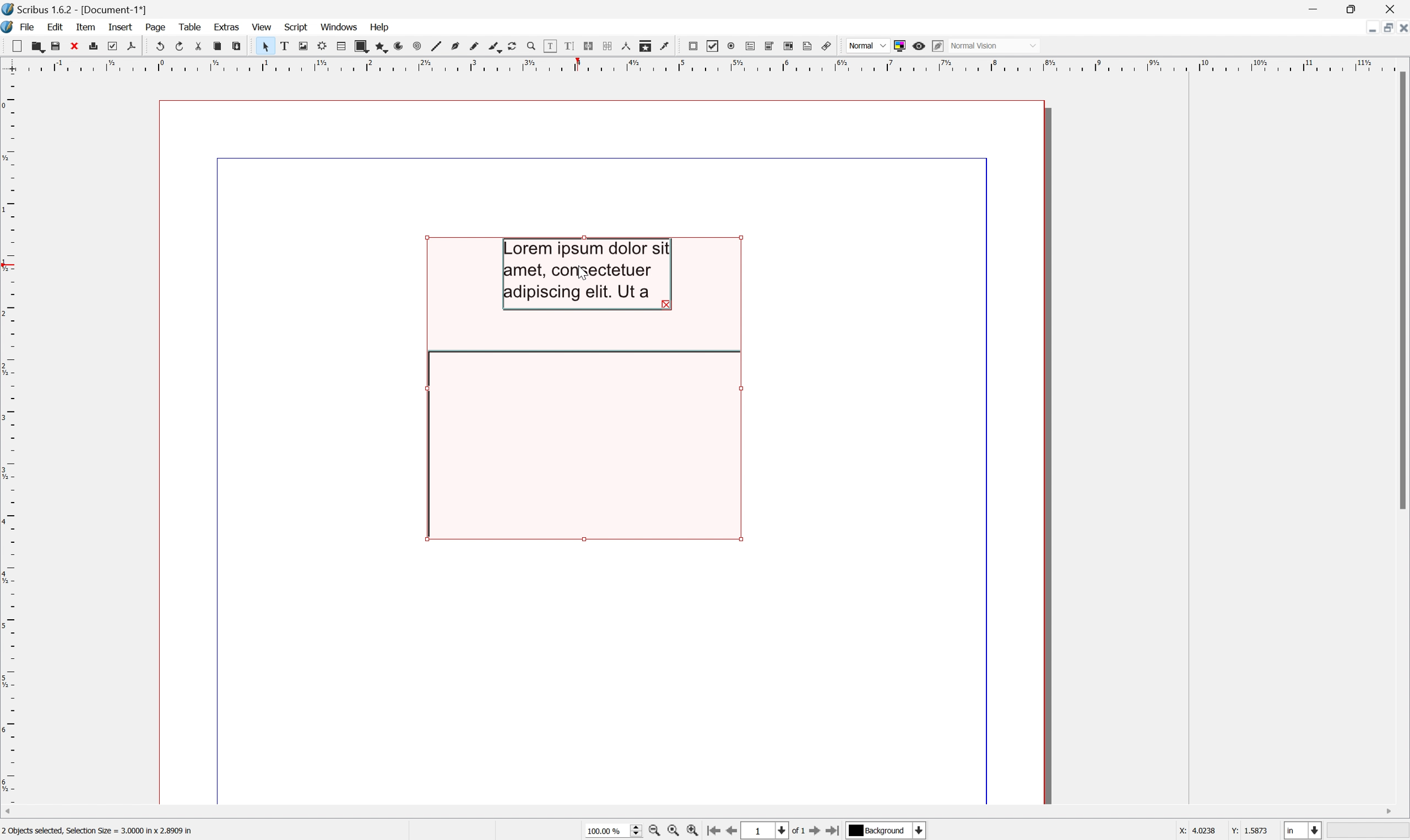 The height and width of the screenshot is (840, 1410). Describe the element at coordinates (93, 46) in the screenshot. I see `Print` at that location.